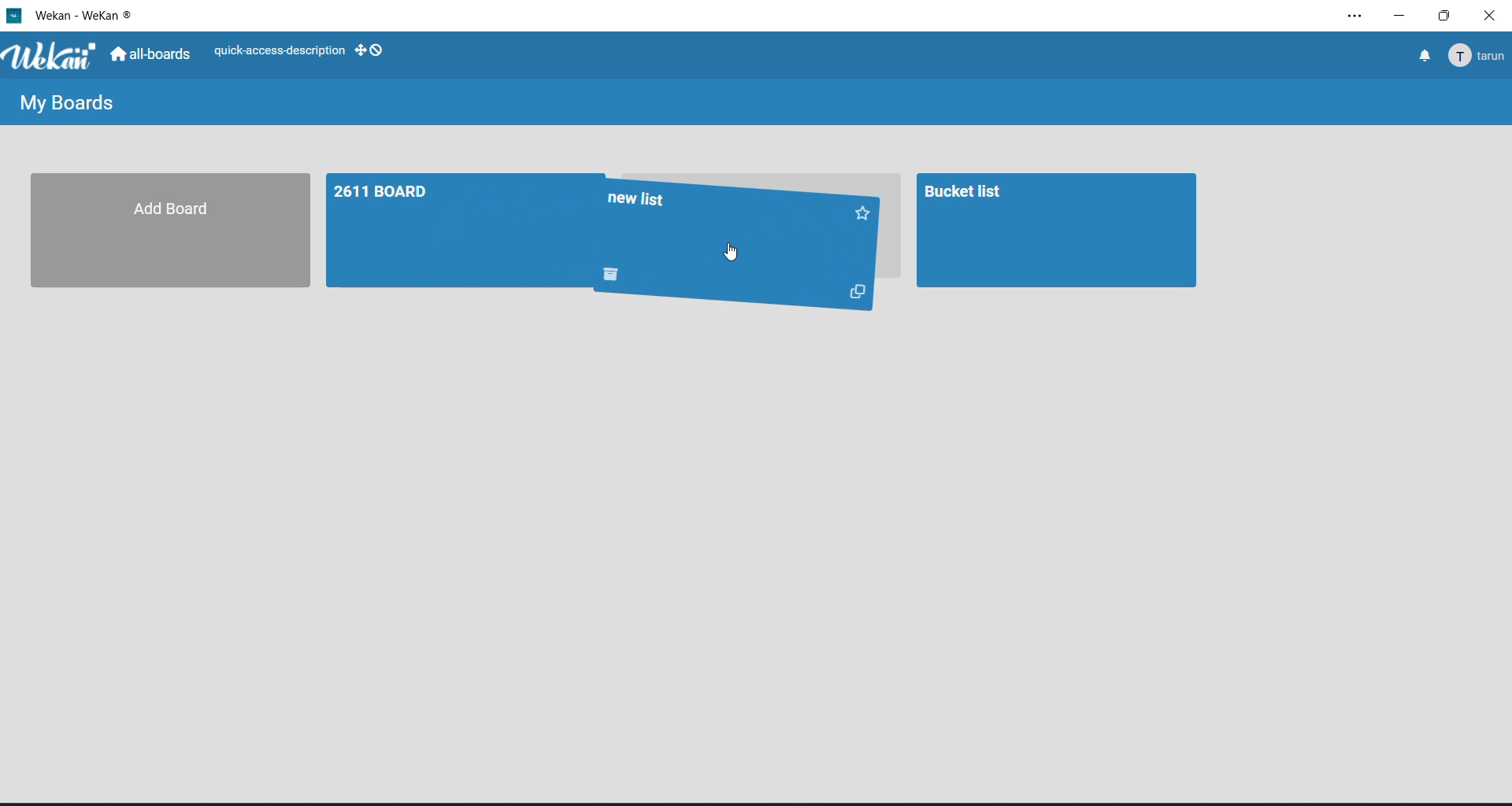  What do you see at coordinates (1359, 17) in the screenshot?
I see `settings` at bounding box center [1359, 17].